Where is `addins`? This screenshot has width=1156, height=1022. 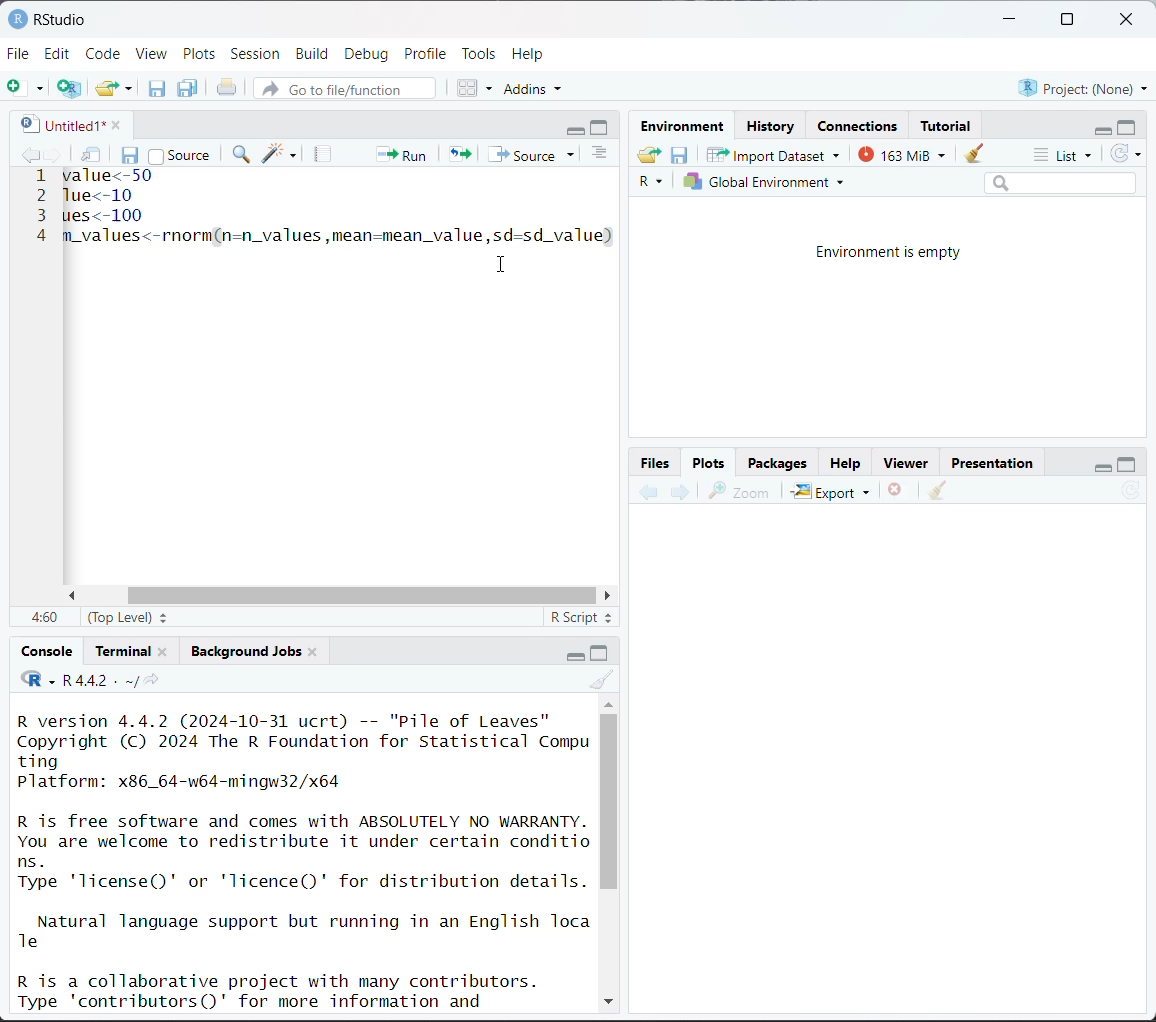 addins is located at coordinates (536, 88).